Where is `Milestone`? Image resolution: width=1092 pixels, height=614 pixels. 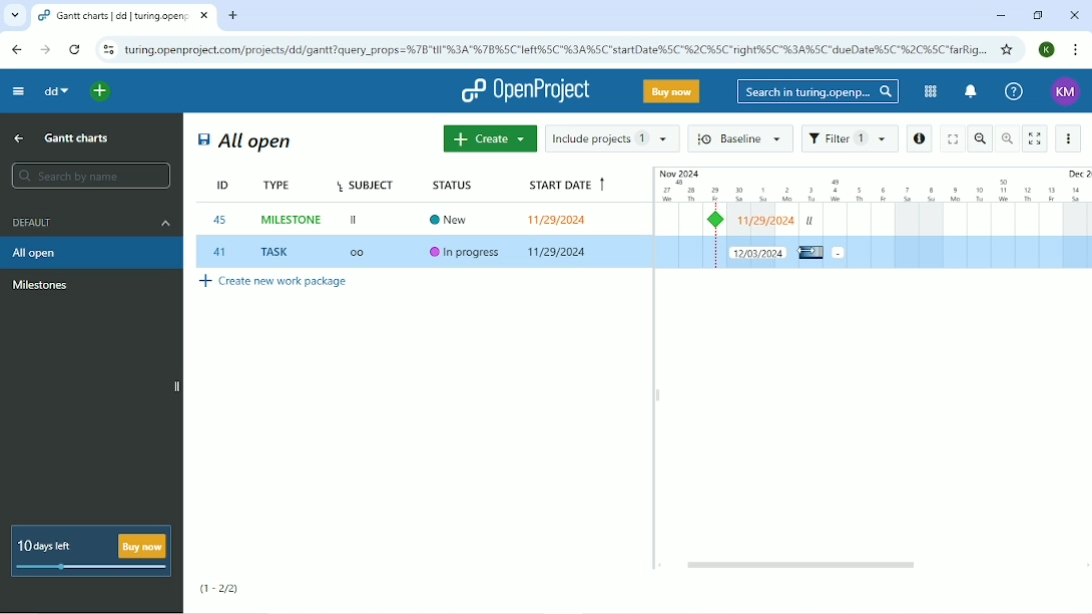
Milestone is located at coordinates (719, 220).